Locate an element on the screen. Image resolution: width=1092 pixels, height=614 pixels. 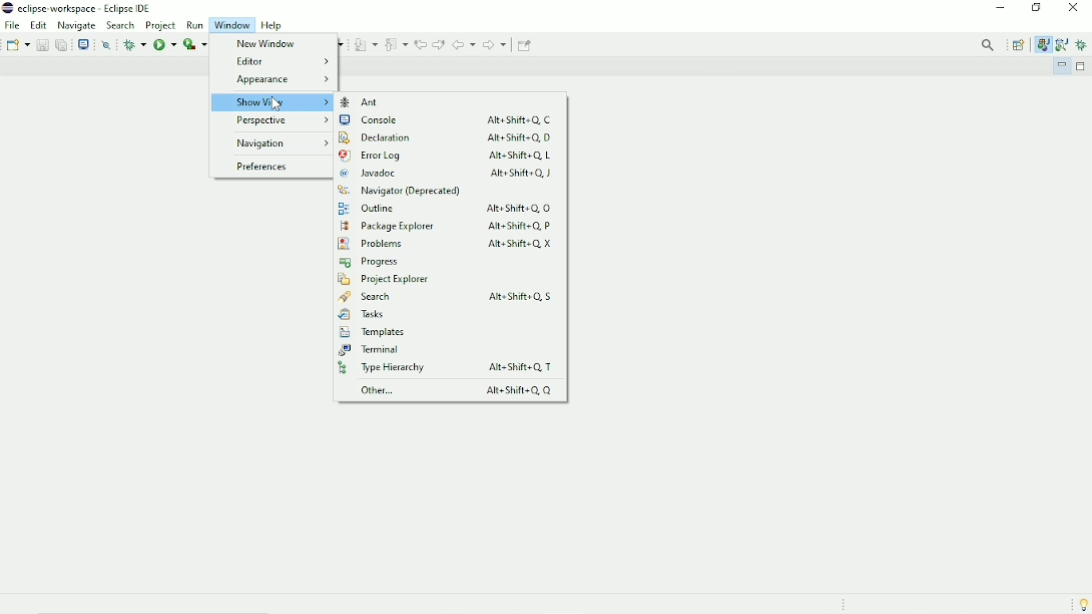
Tip  is located at coordinates (1081, 603).